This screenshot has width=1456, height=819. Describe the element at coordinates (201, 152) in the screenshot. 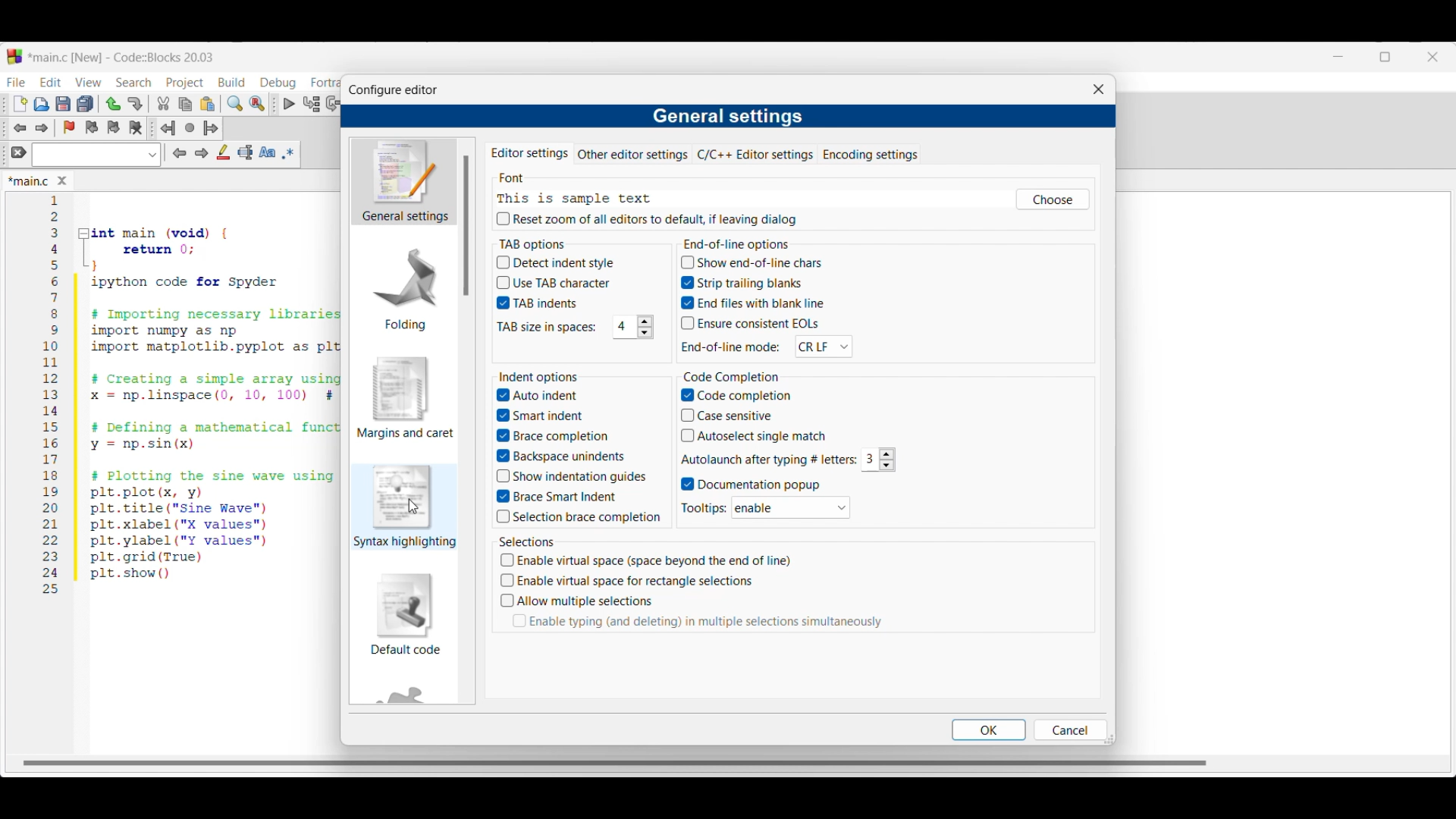

I see `Next` at that location.